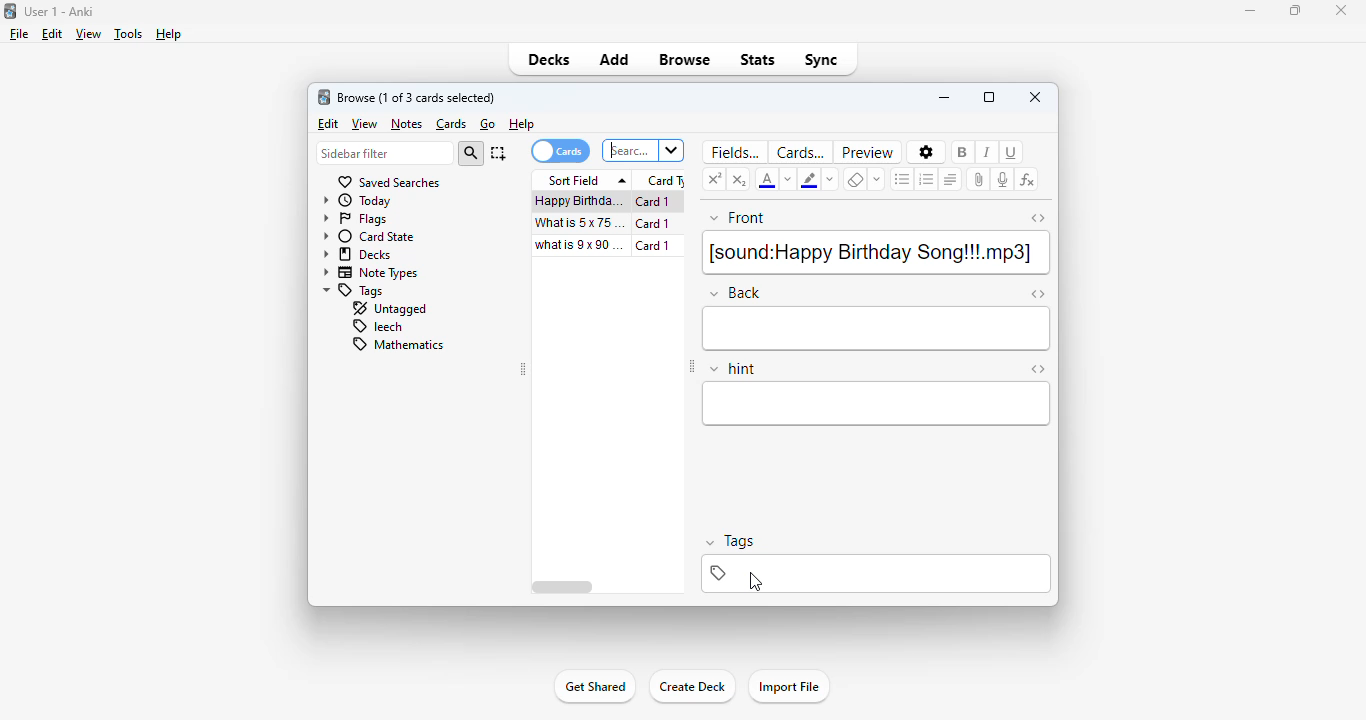 This screenshot has width=1366, height=720. What do you see at coordinates (692, 368) in the screenshot?
I see `toggle sidebar` at bounding box center [692, 368].